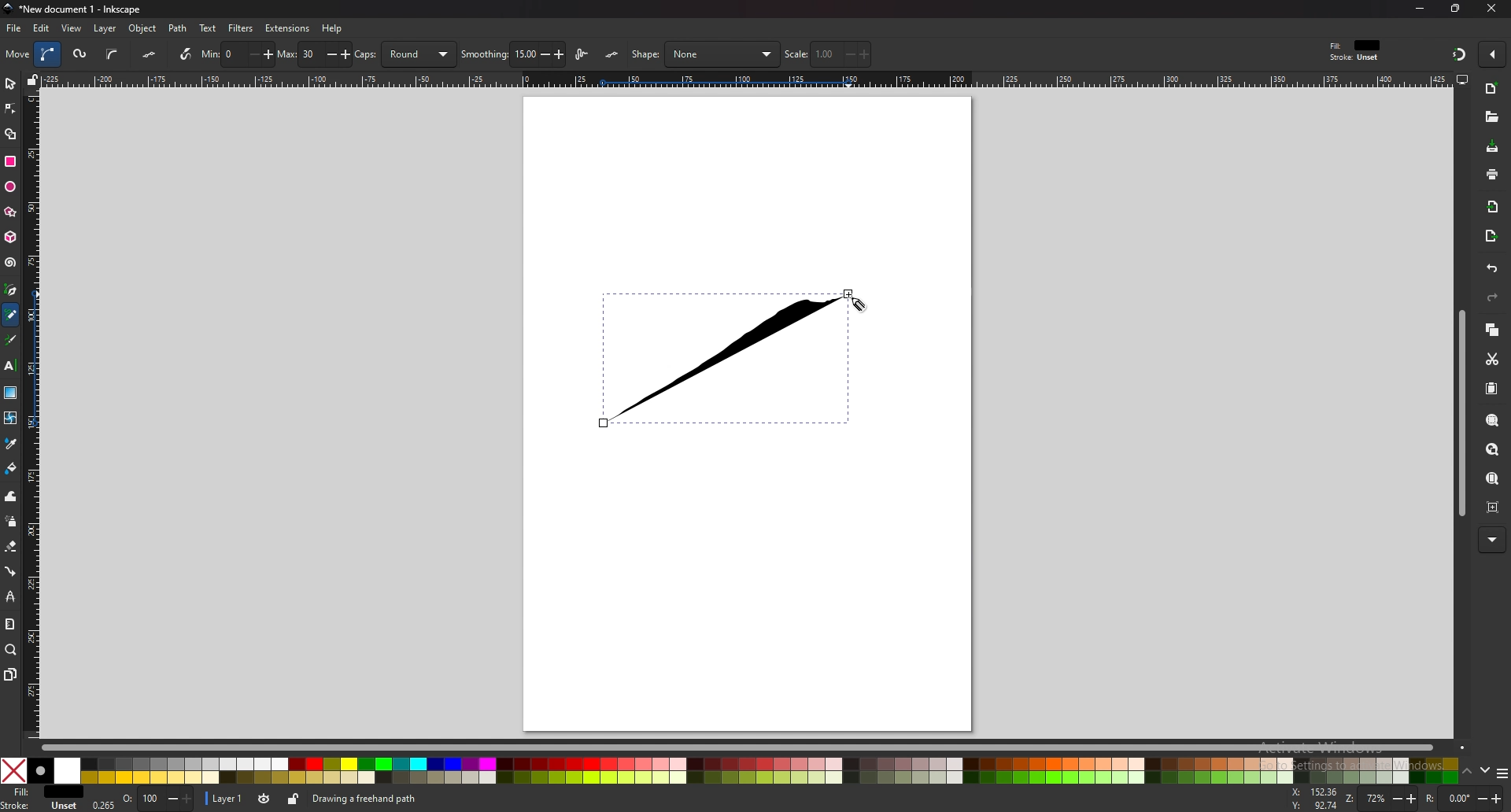 This screenshot has height=812, width=1511. What do you see at coordinates (288, 28) in the screenshot?
I see `extensions` at bounding box center [288, 28].